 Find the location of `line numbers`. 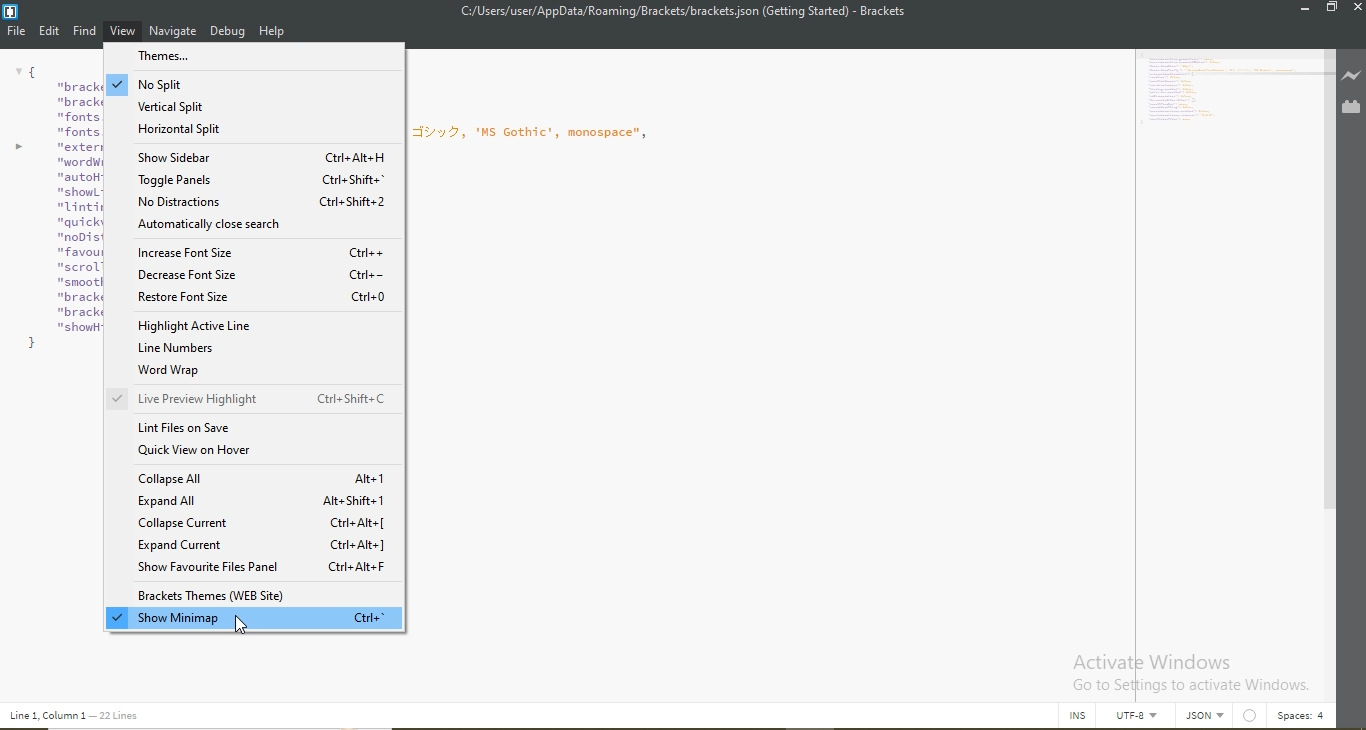

line numbers is located at coordinates (246, 349).